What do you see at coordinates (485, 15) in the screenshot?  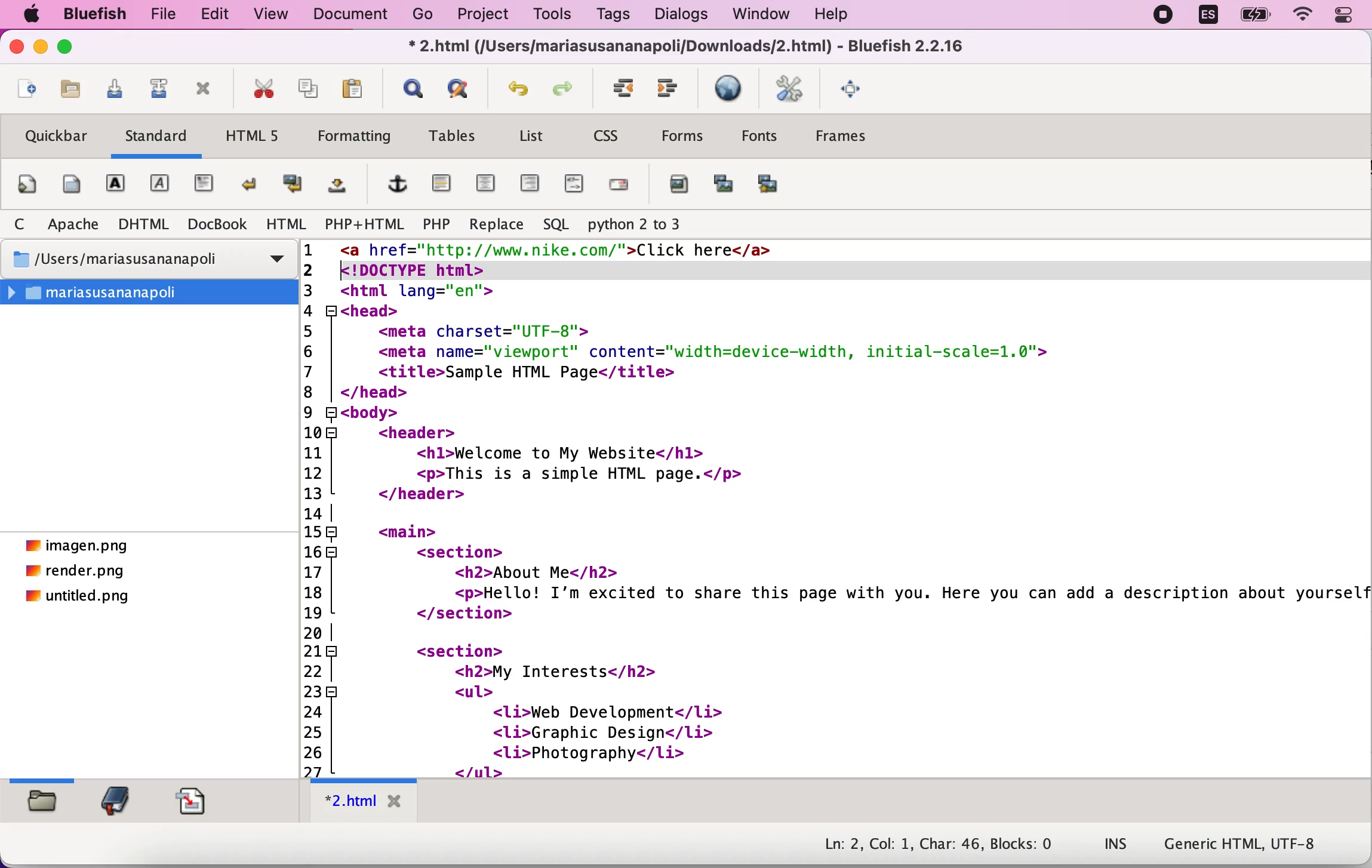 I see `project` at bounding box center [485, 15].